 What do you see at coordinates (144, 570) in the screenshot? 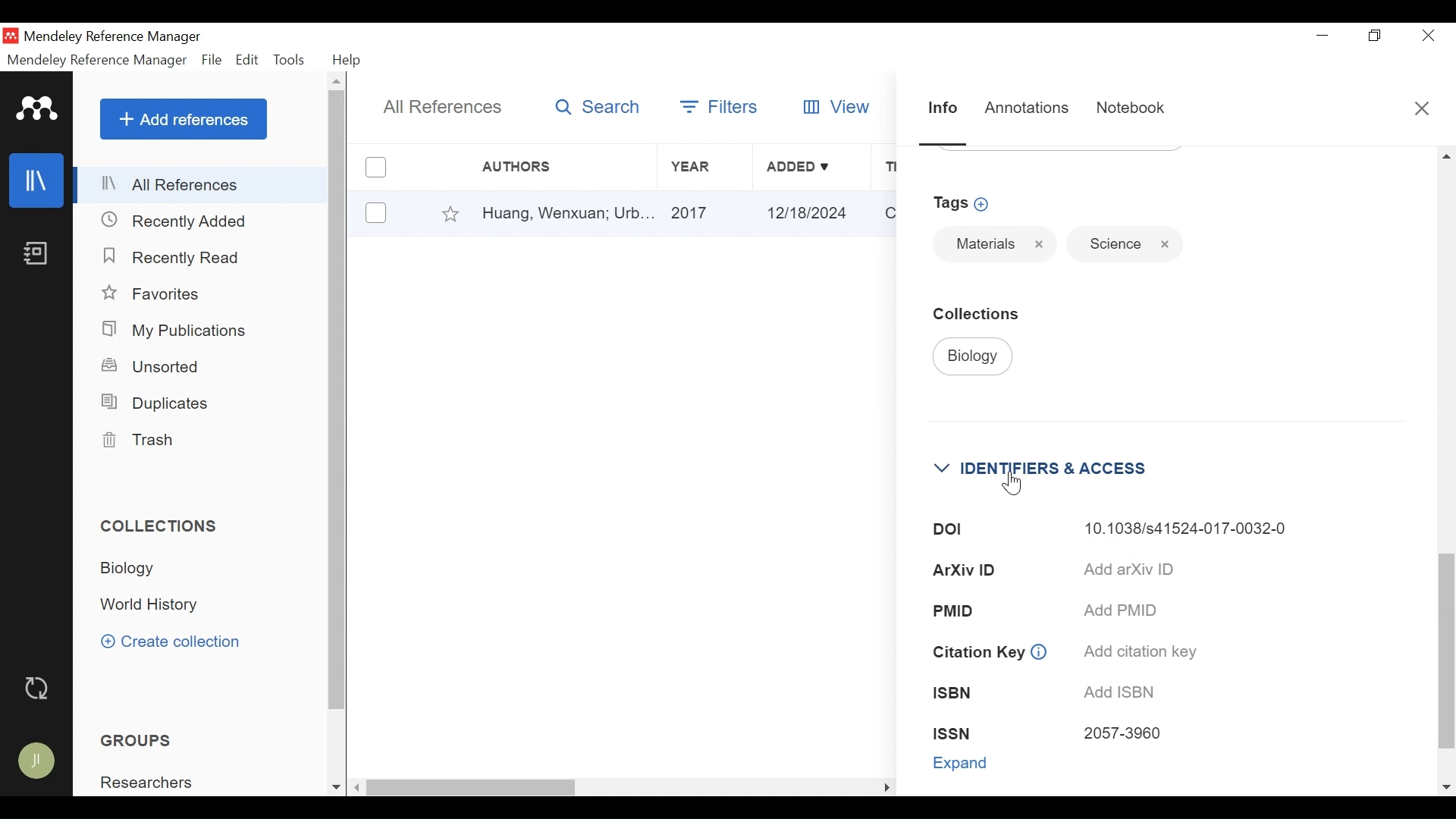
I see `Collection` at bounding box center [144, 570].